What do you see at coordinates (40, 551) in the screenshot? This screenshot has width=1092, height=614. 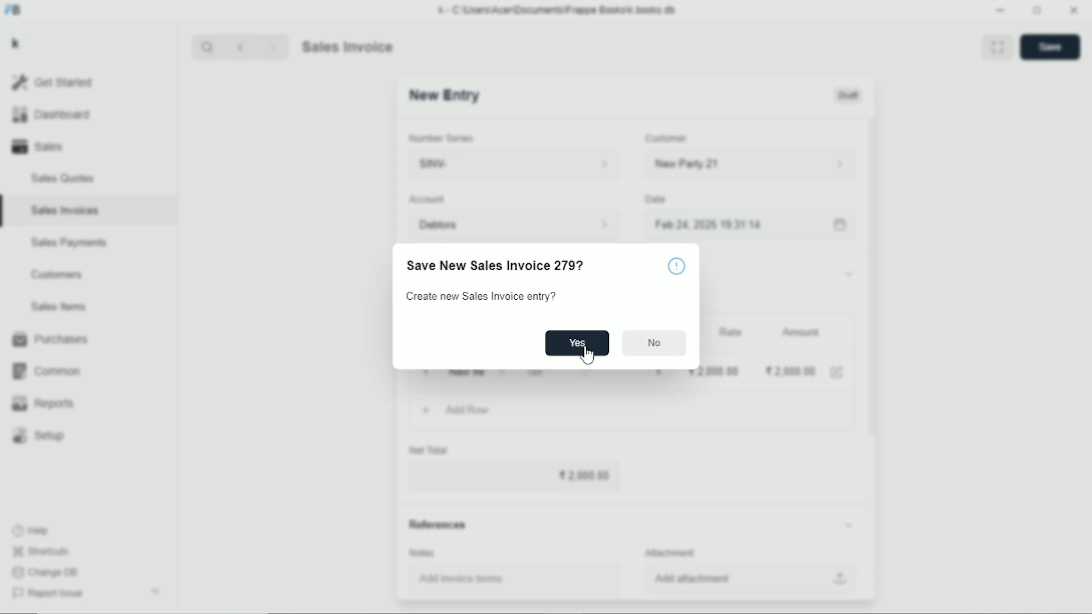 I see `Shortcuts` at bounding box center [40, 551].